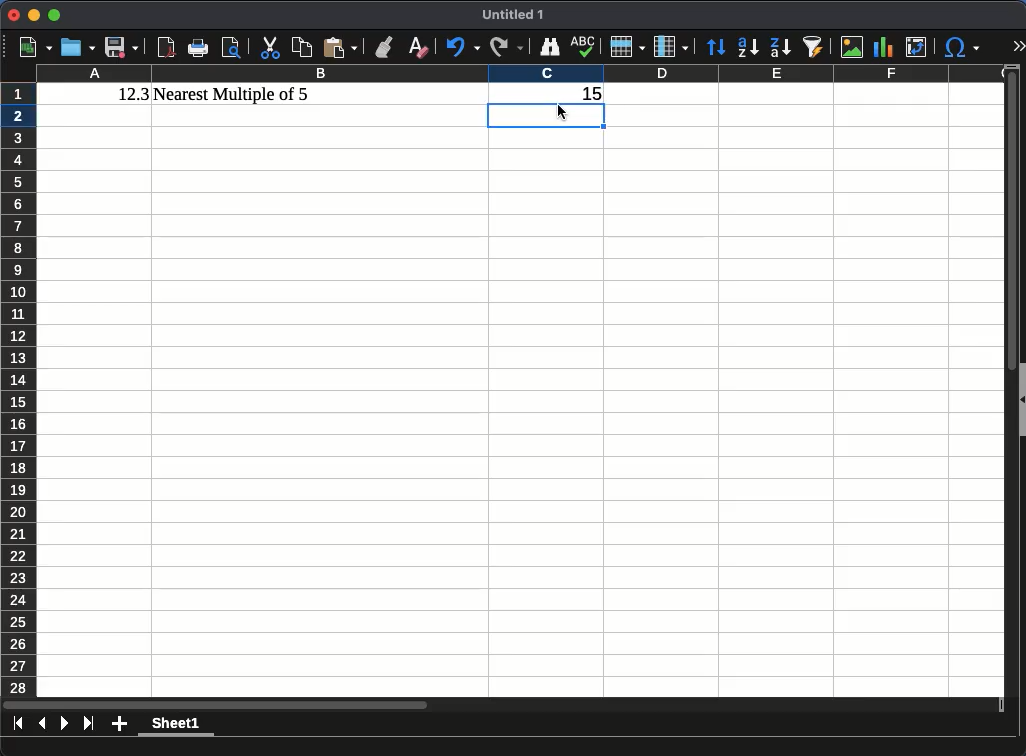  What do you see at coordinates (961, 47) in the screenshot?
I see `special character` at bounding box center [961, 47].